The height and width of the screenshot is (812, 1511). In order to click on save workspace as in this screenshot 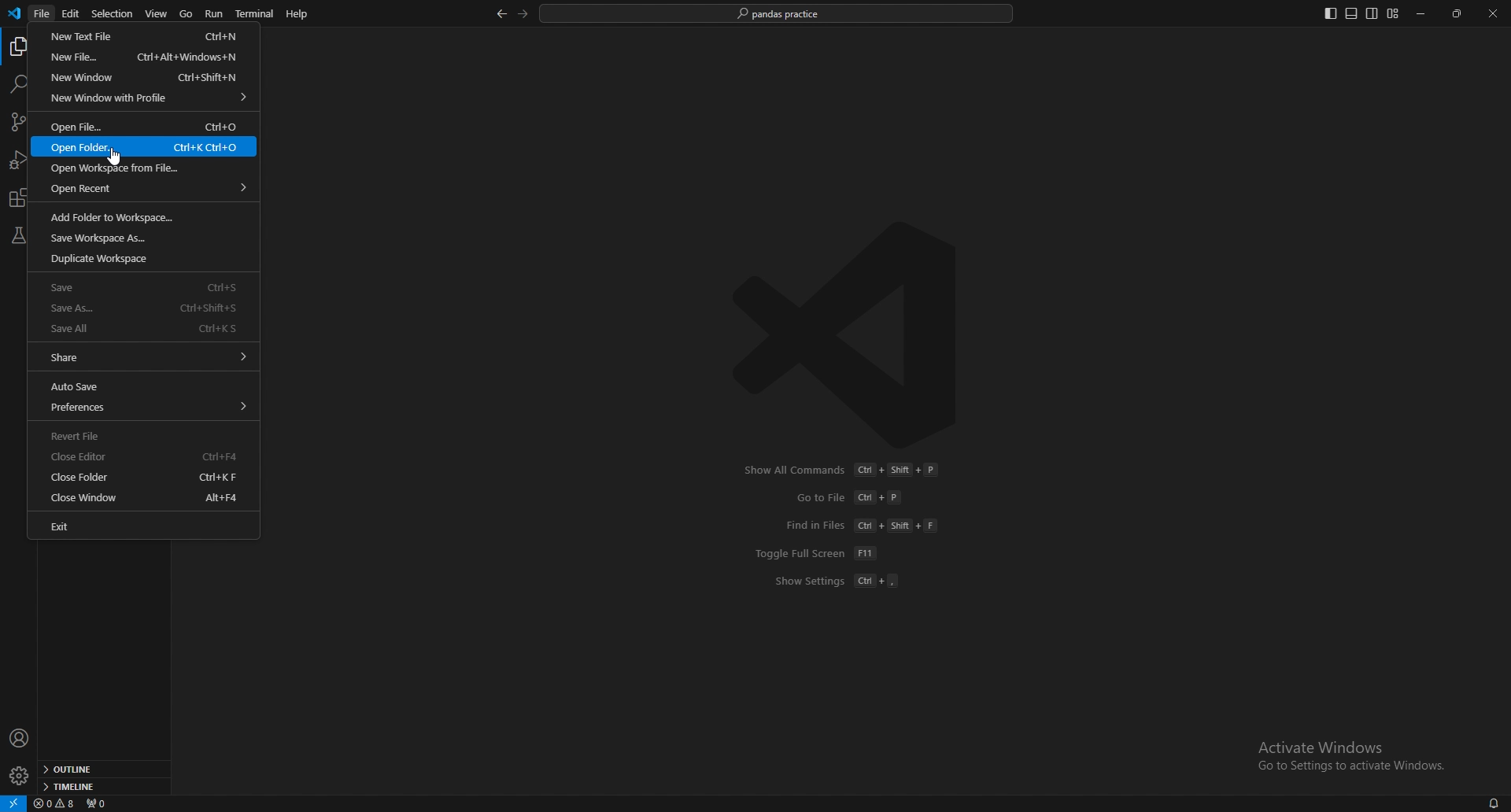, I will do `click(142, 237)`.